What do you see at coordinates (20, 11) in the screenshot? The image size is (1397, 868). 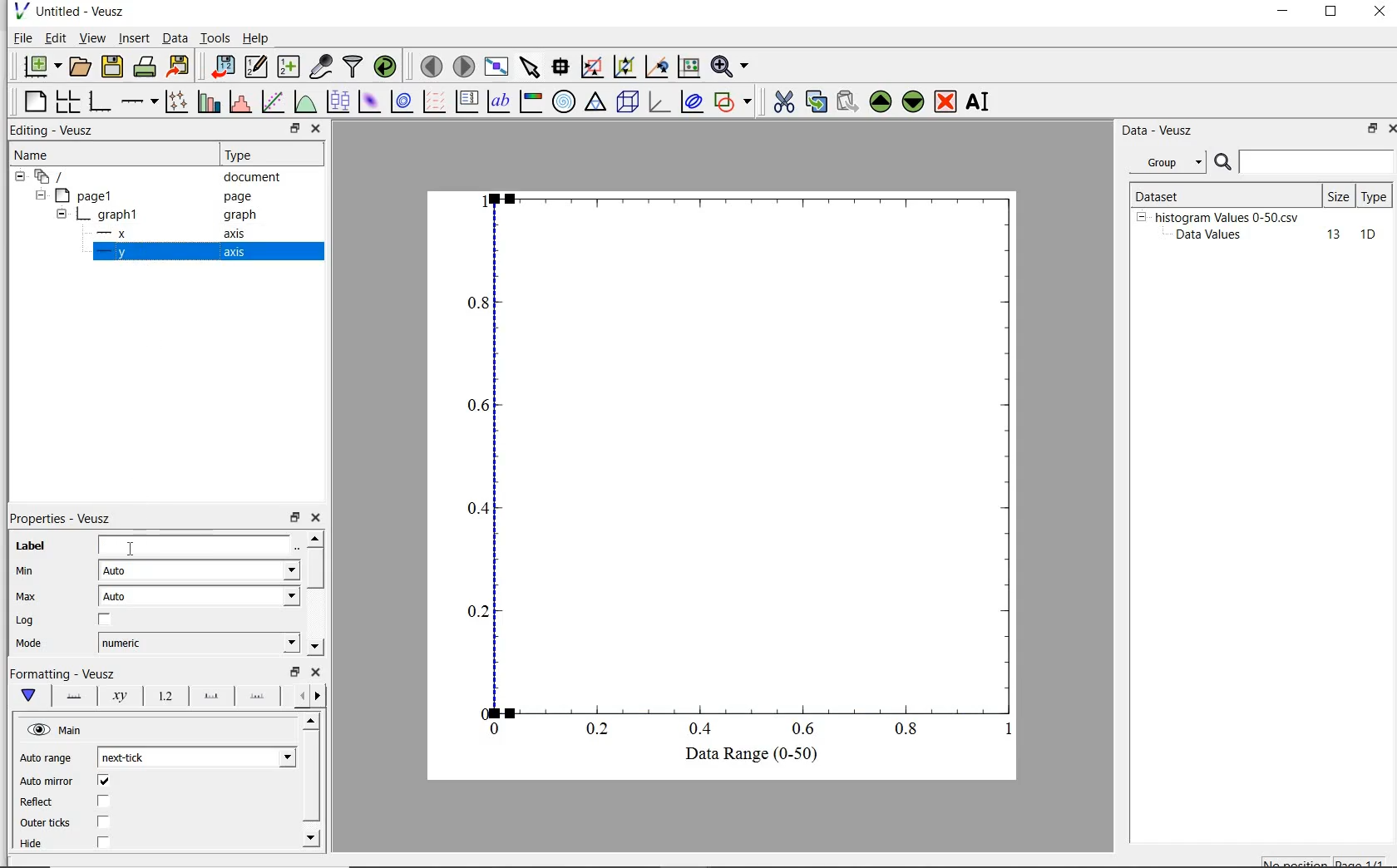 I see `veusz logo` at bounding box center [20, 11].